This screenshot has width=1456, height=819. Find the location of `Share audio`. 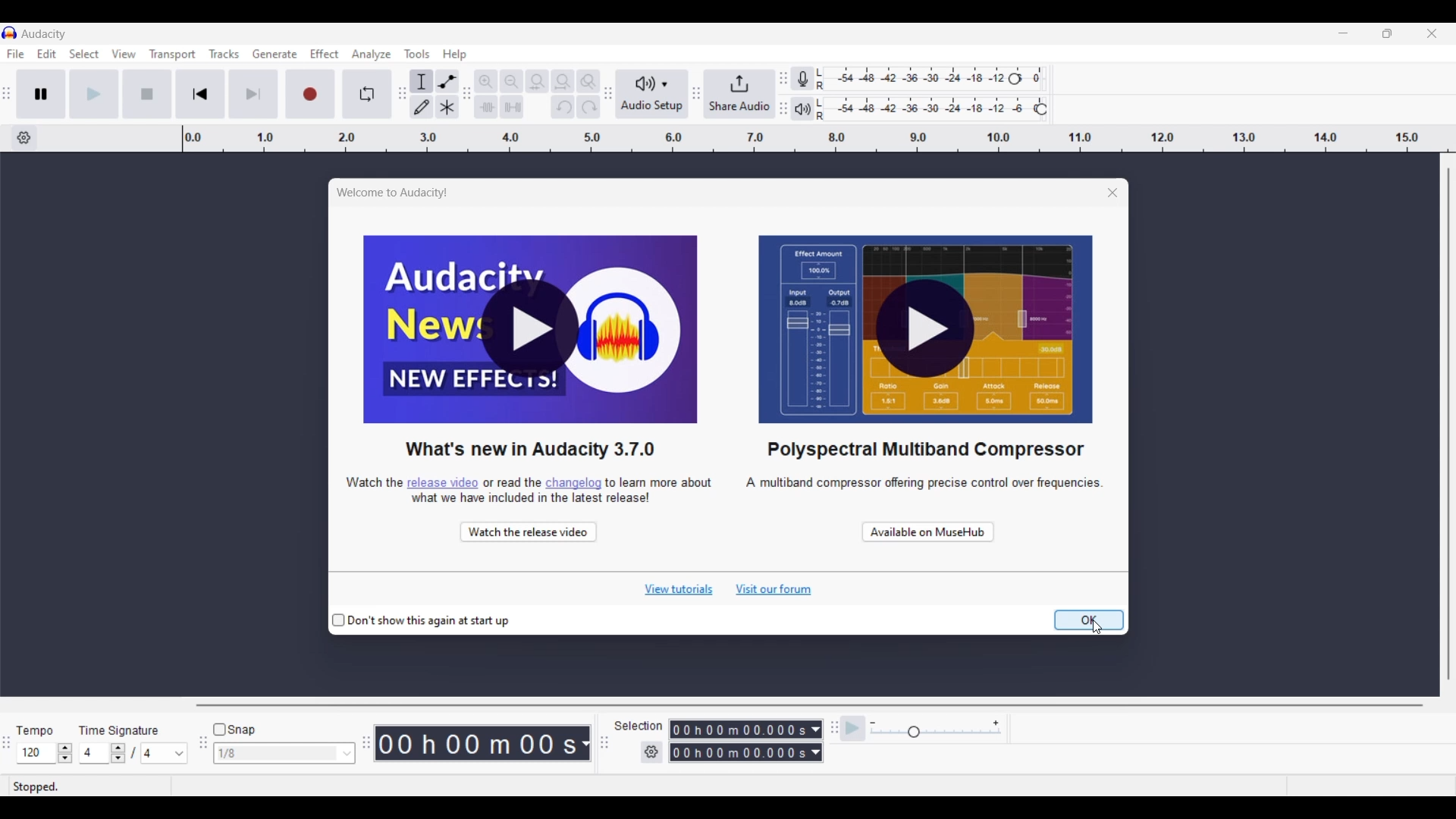

Share audio is located at coordinates (739, 94).